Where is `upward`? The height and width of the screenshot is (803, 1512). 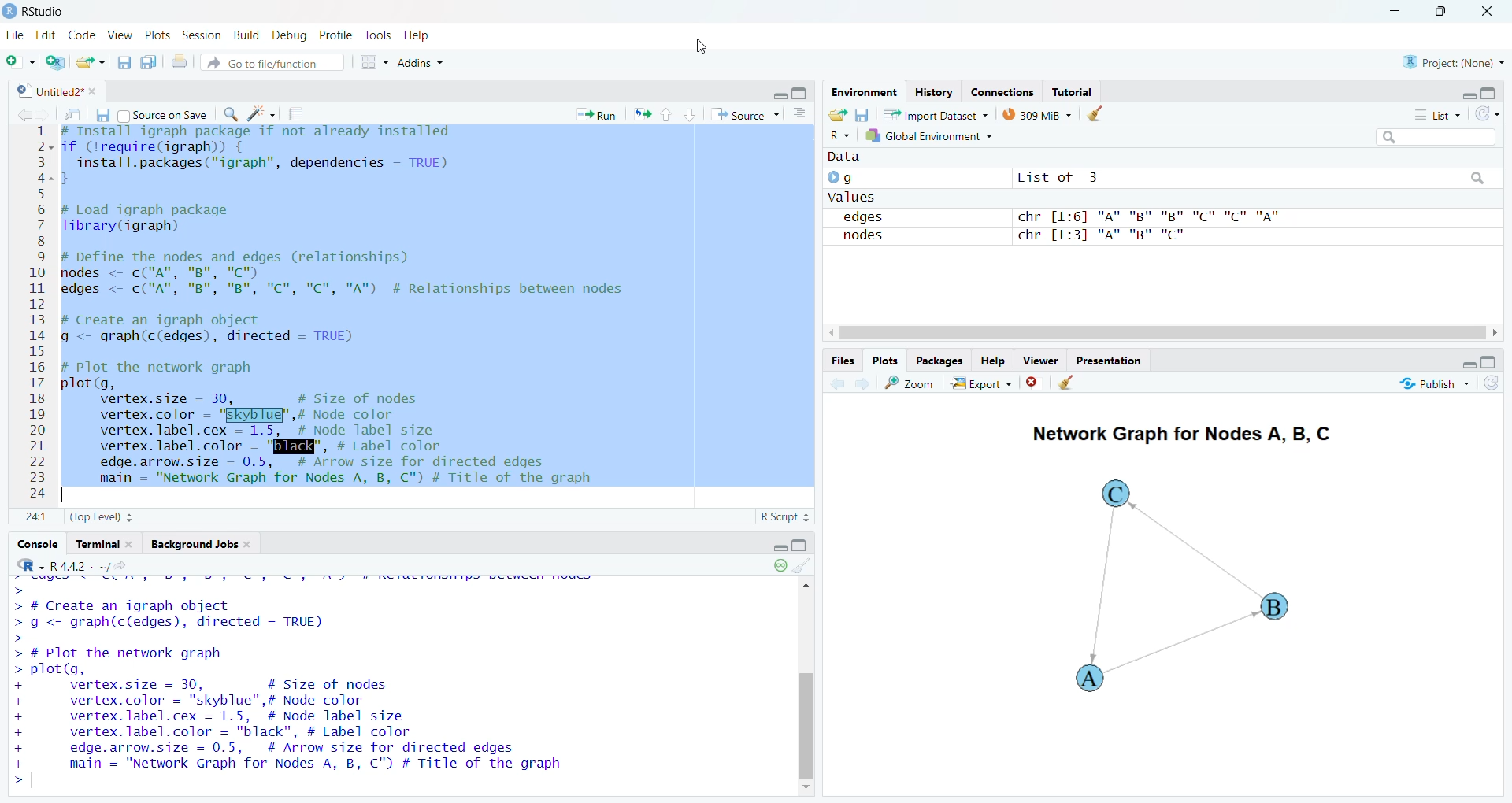
upward is located at coordinates (670, 116).